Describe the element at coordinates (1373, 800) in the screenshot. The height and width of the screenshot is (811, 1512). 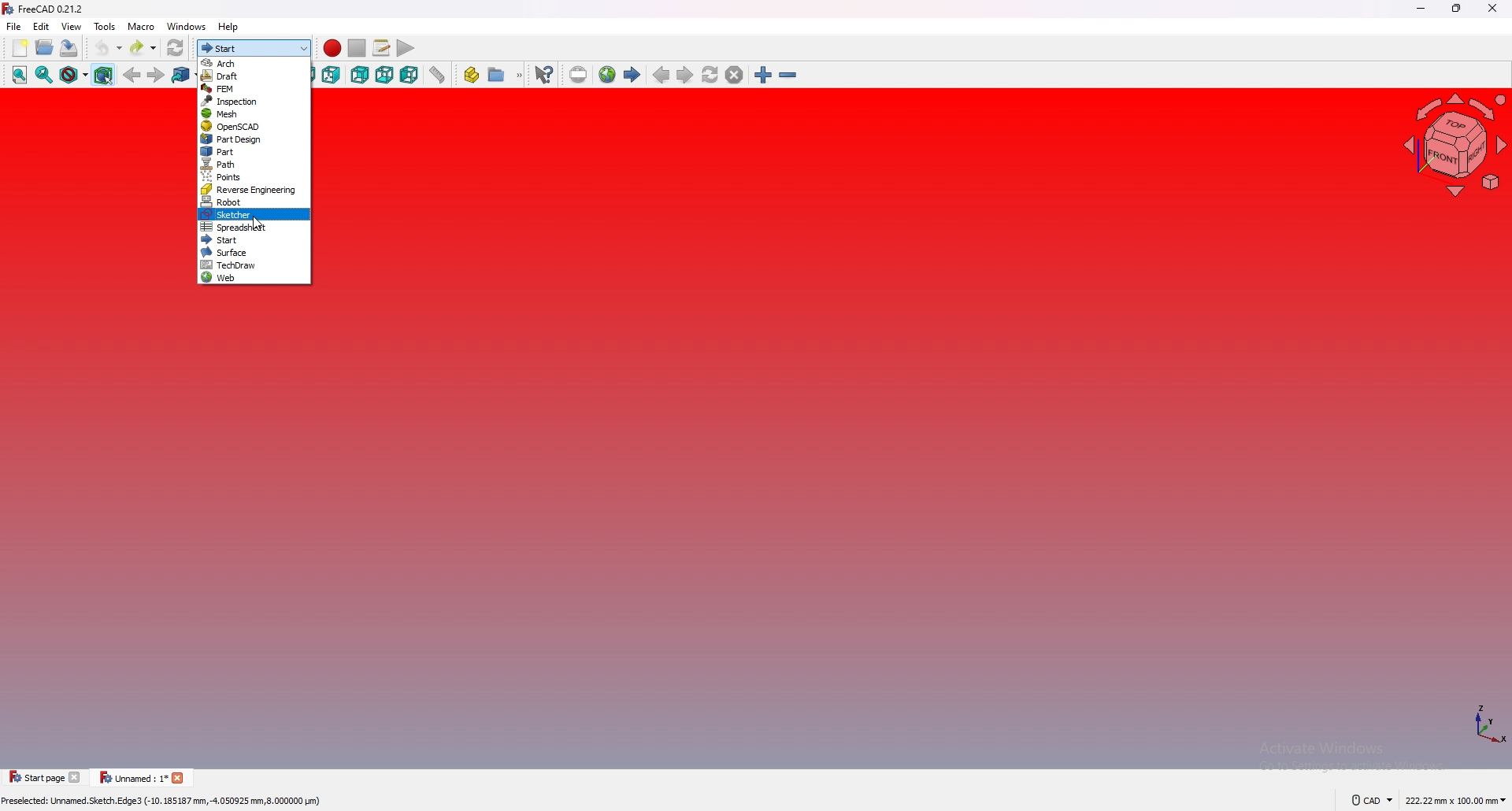
I see `cad navigation` at that location.